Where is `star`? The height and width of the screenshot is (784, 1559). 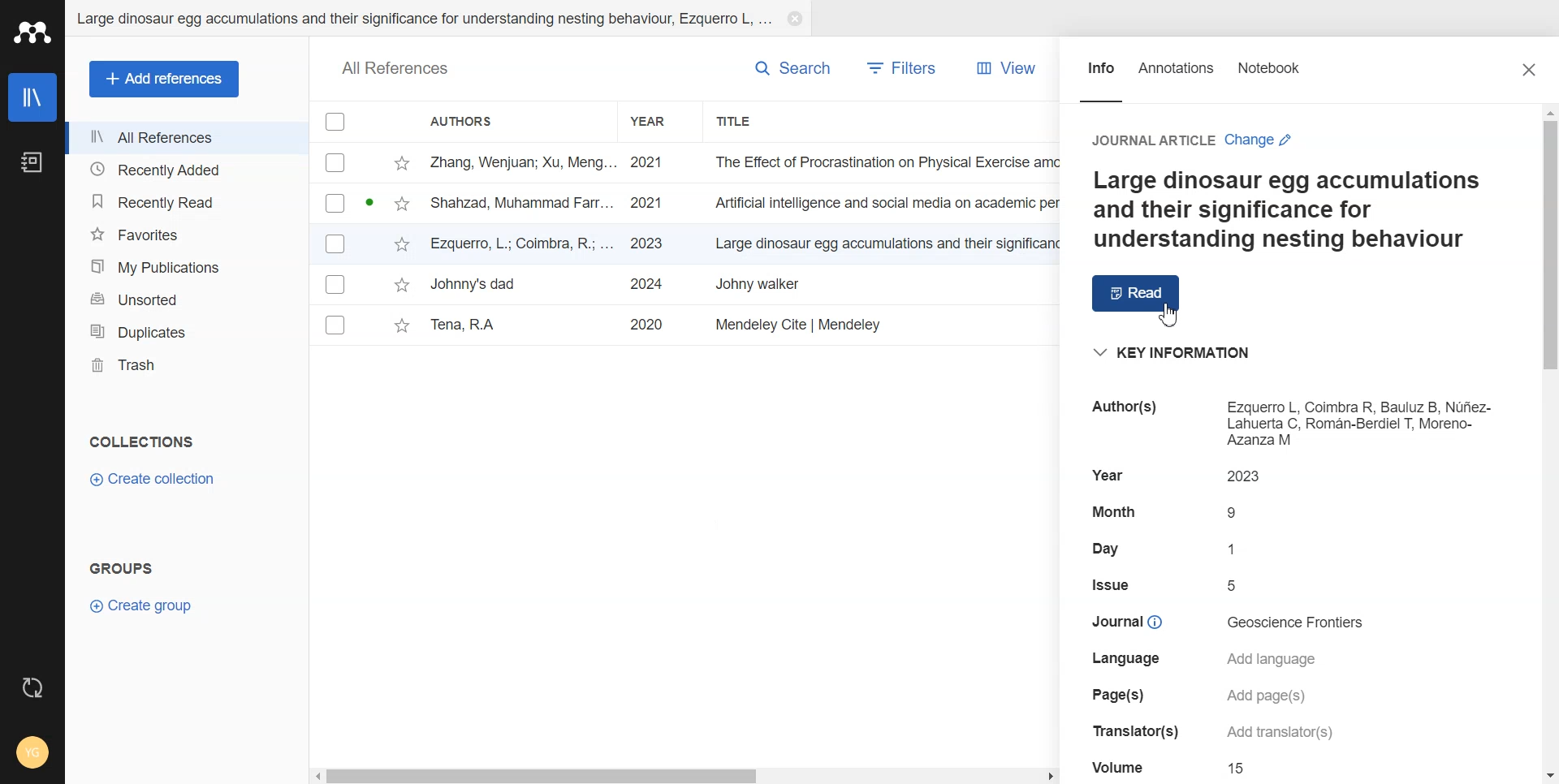
star is located at coordinates (404, 205).